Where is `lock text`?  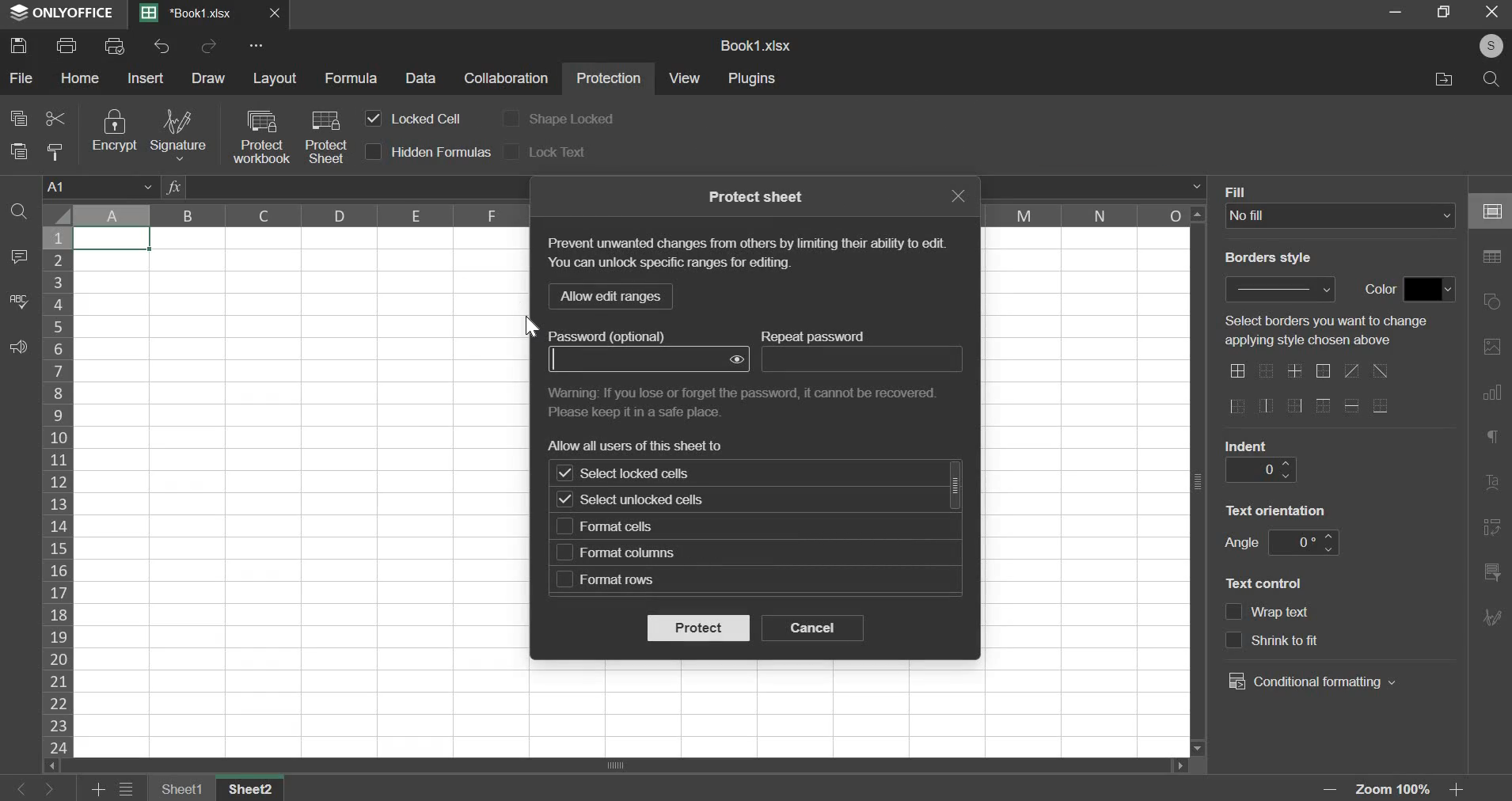 lock text is located at coordinates (557, 151).